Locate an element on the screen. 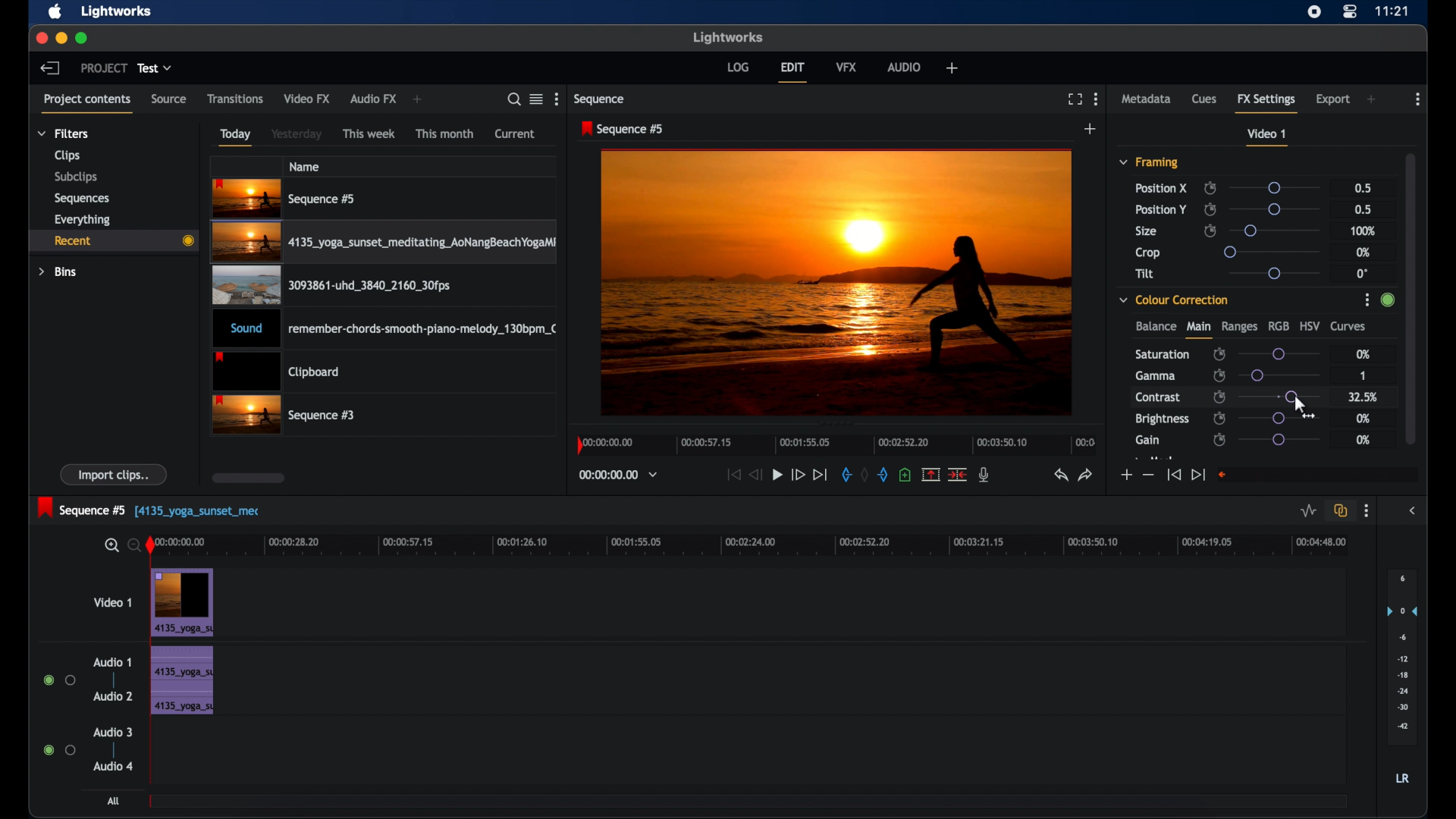  enable/disable keyframes is located at coordinates (1219, 441).